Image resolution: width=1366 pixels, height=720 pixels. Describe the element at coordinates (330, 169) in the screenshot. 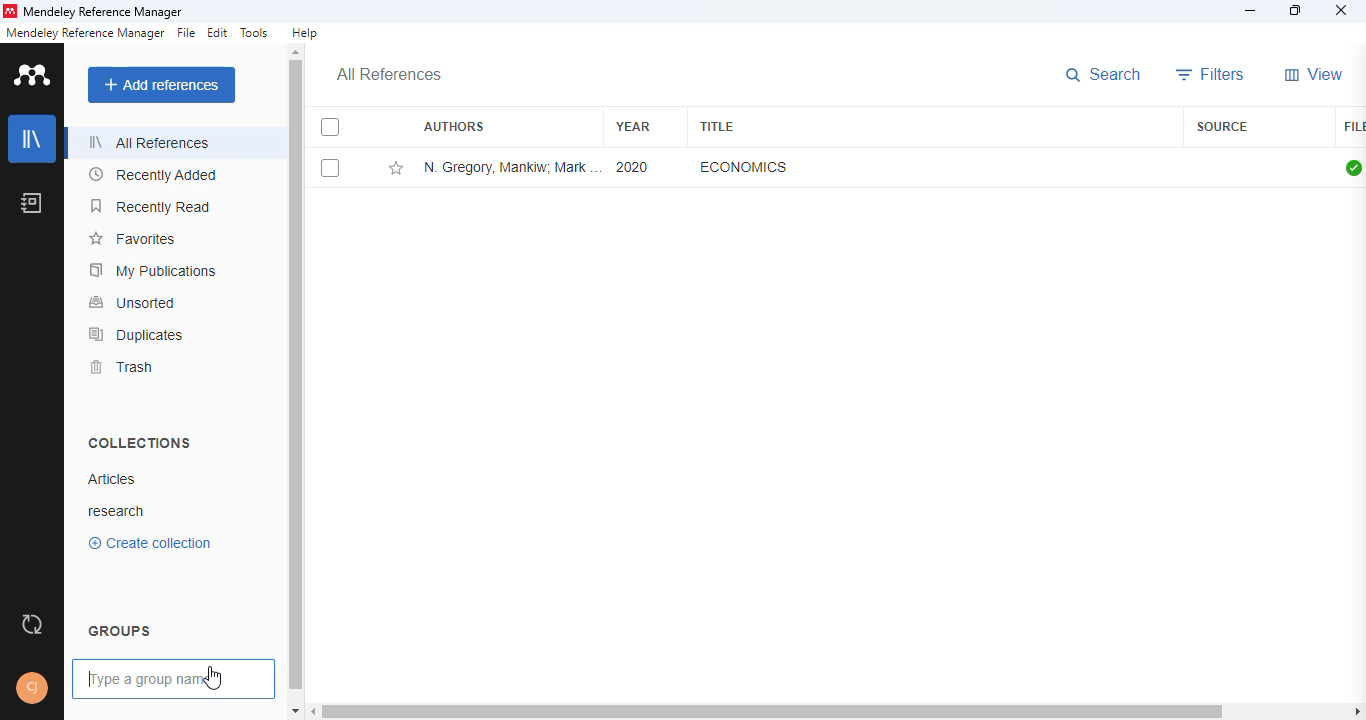

I see `select` at that location.